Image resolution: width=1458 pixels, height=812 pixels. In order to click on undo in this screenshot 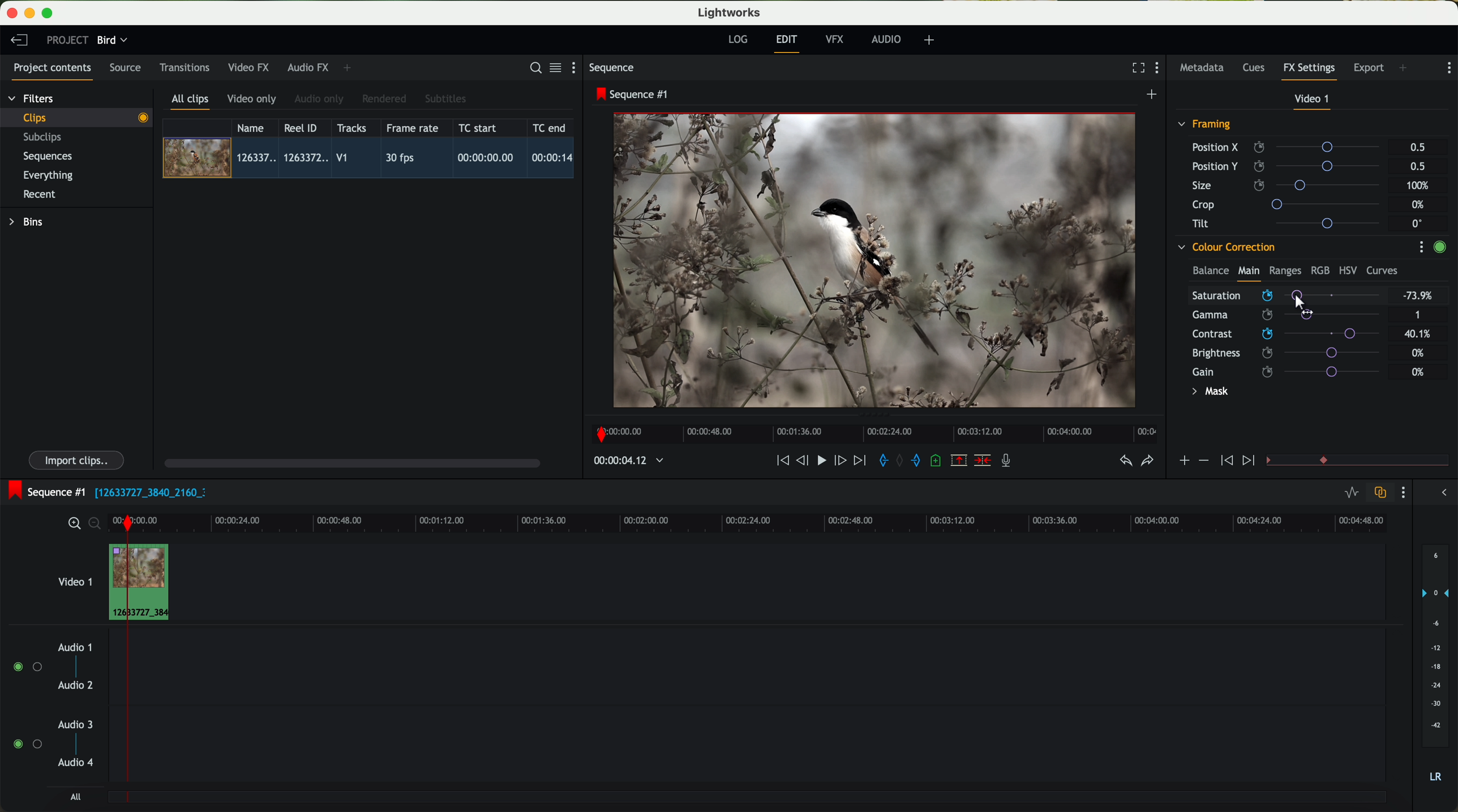, I will do `click(1125, 461)`.